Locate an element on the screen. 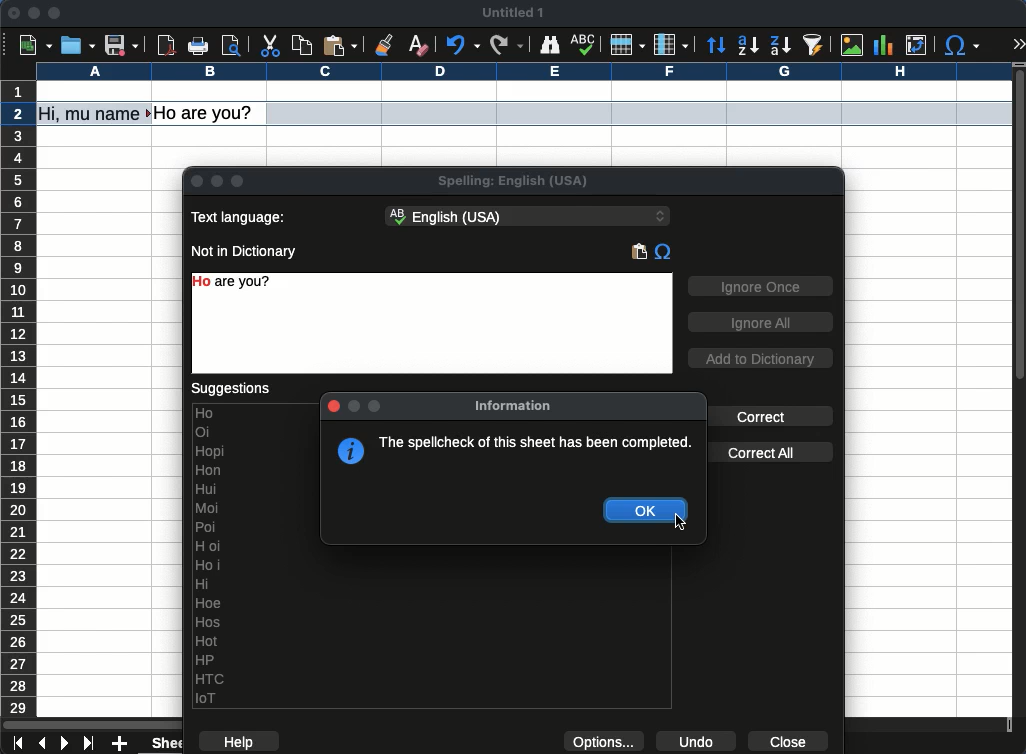 Image resolution: width=1026 pixels, height=754 pixels. close is located at coordinates (198, 183).